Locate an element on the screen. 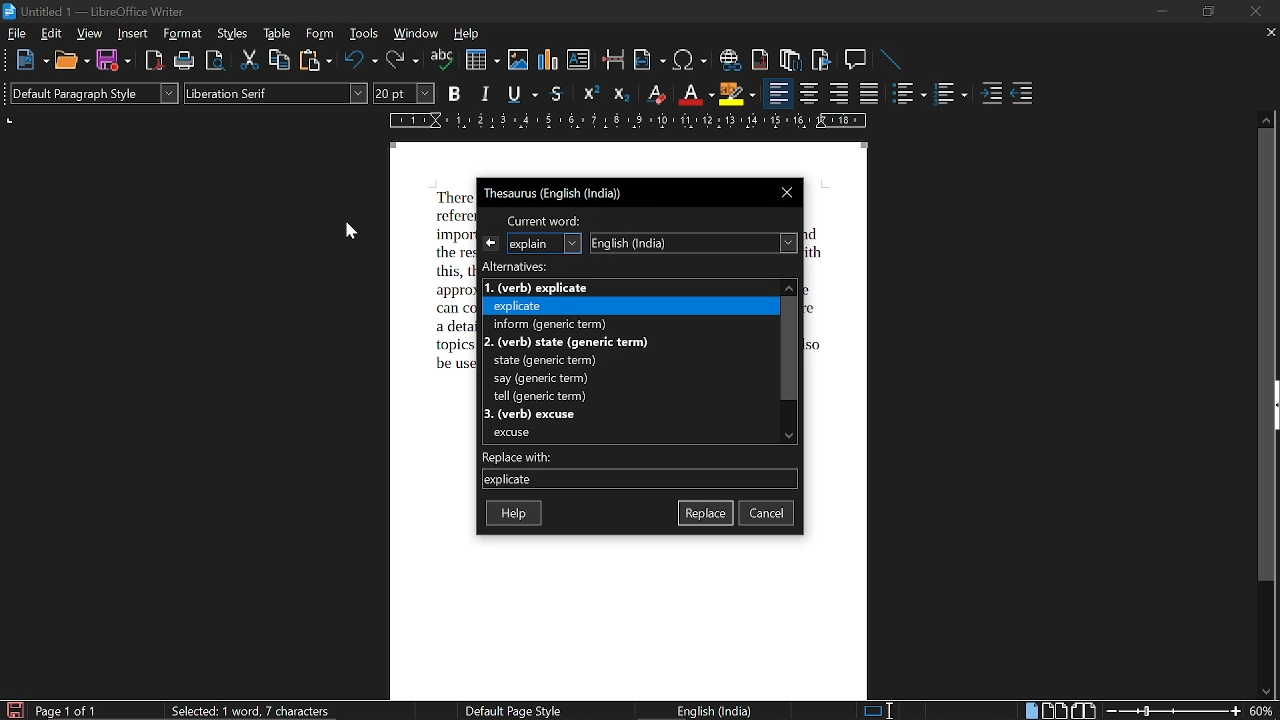 The height and width of the screenshot is (720, 1280). previous is located at coordinates (491, 244).